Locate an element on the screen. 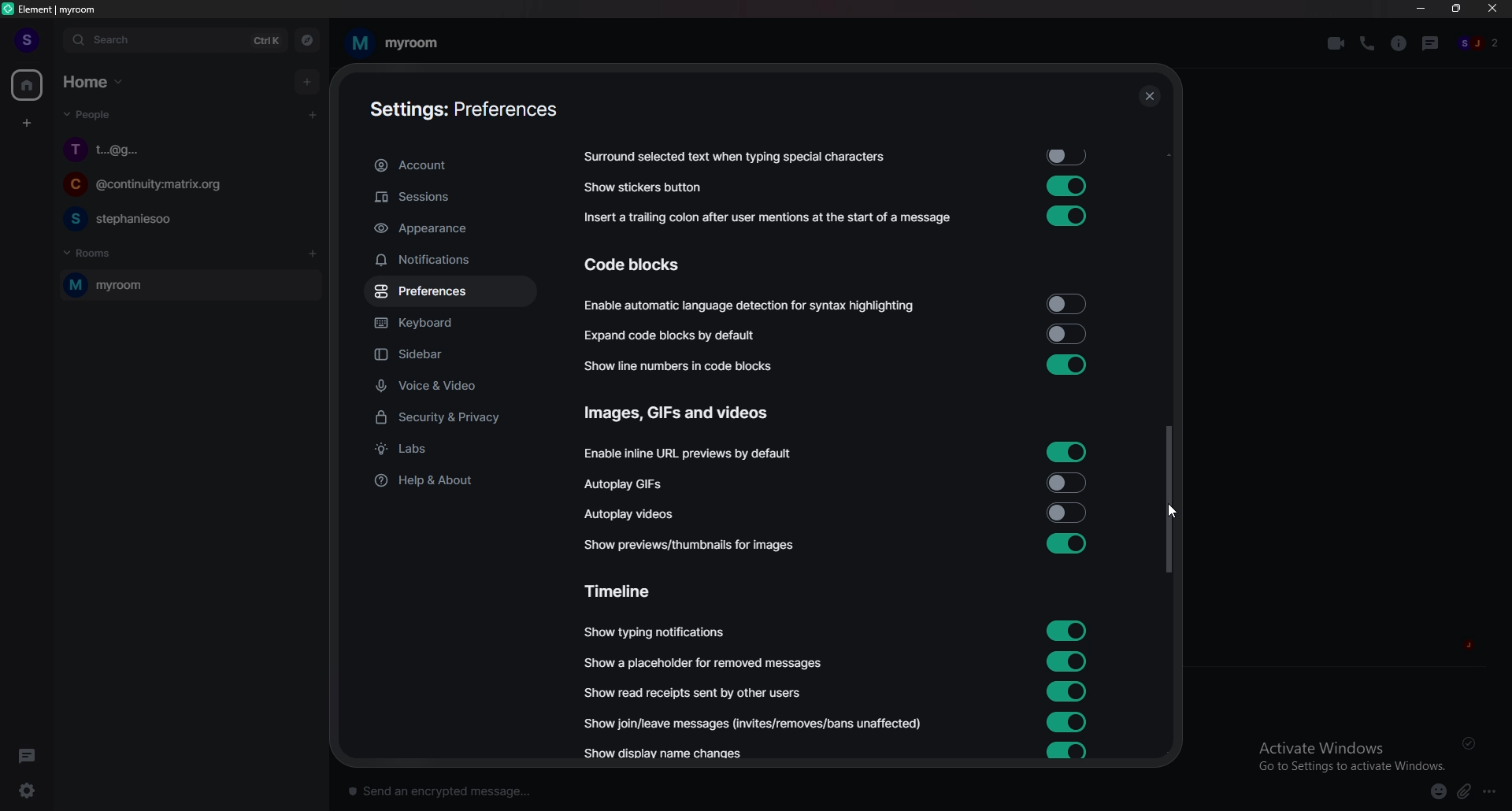  chat is located at coordinates (184, 187).